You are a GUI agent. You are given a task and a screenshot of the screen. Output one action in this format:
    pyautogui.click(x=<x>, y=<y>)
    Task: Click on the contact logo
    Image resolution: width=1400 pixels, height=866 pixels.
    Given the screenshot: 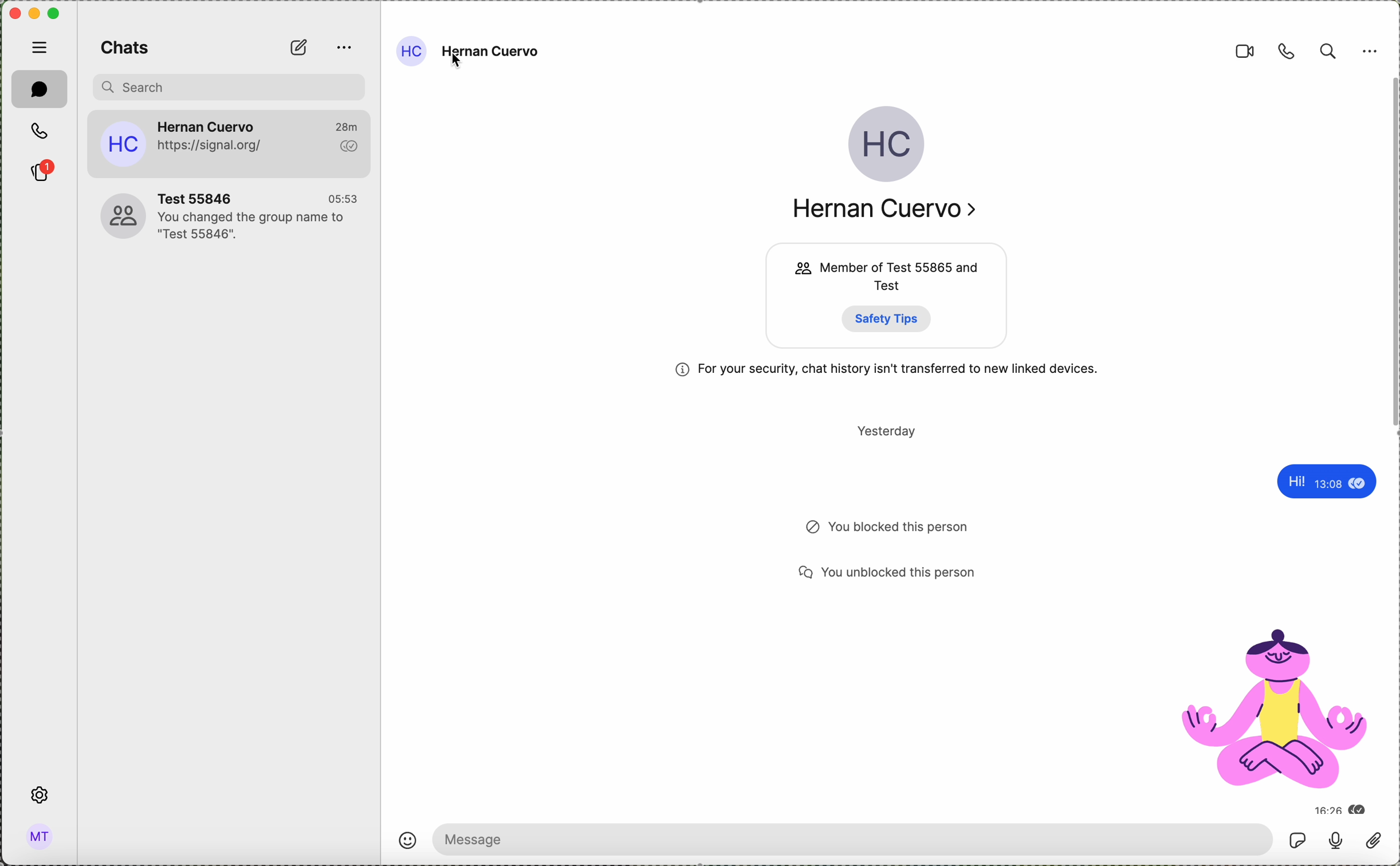 What is the action you would take?
    pyautogui.click(x=795, y=270)
    